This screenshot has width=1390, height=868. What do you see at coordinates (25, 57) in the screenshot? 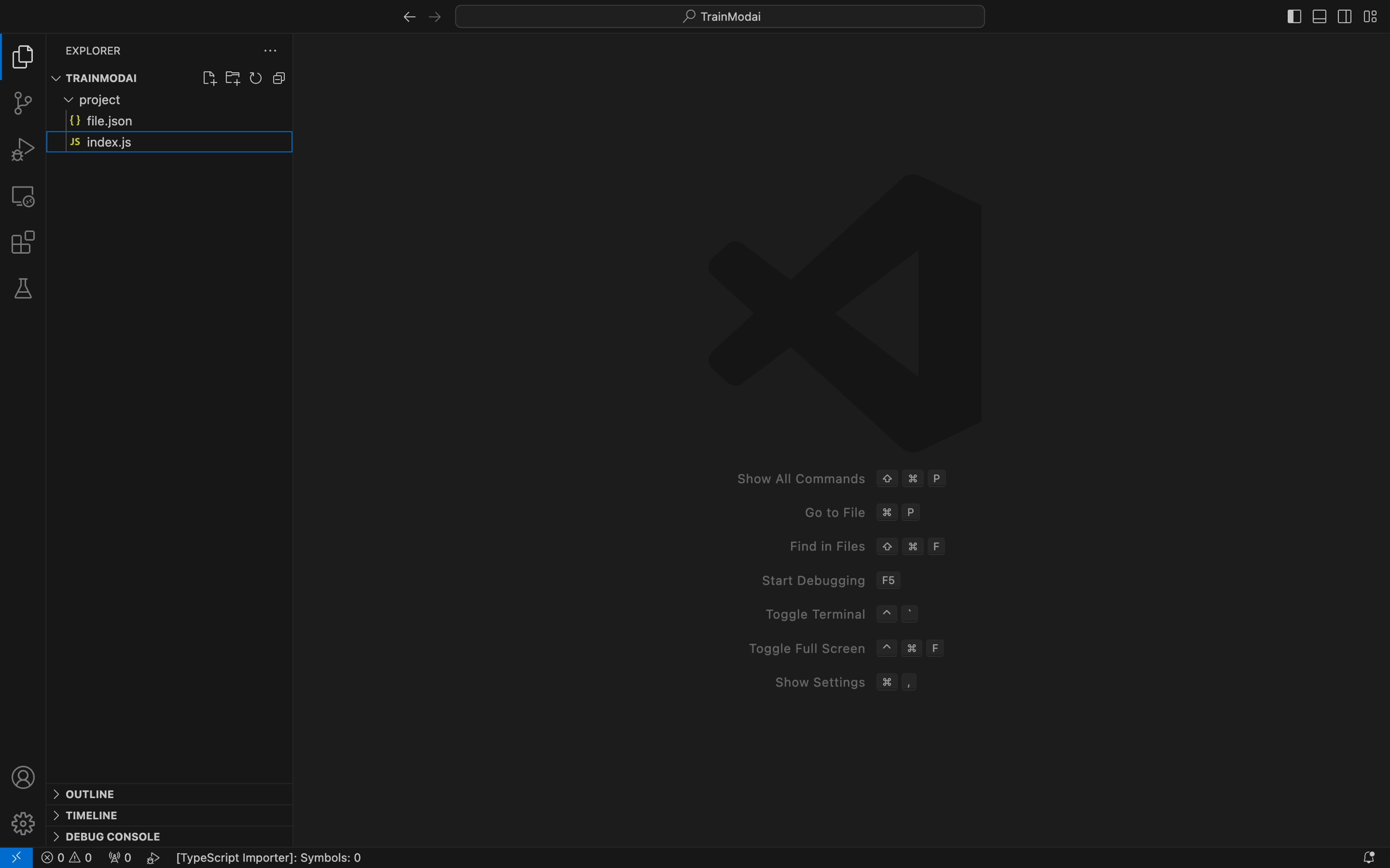
I see `file explore` at bounding box center [25, 57].